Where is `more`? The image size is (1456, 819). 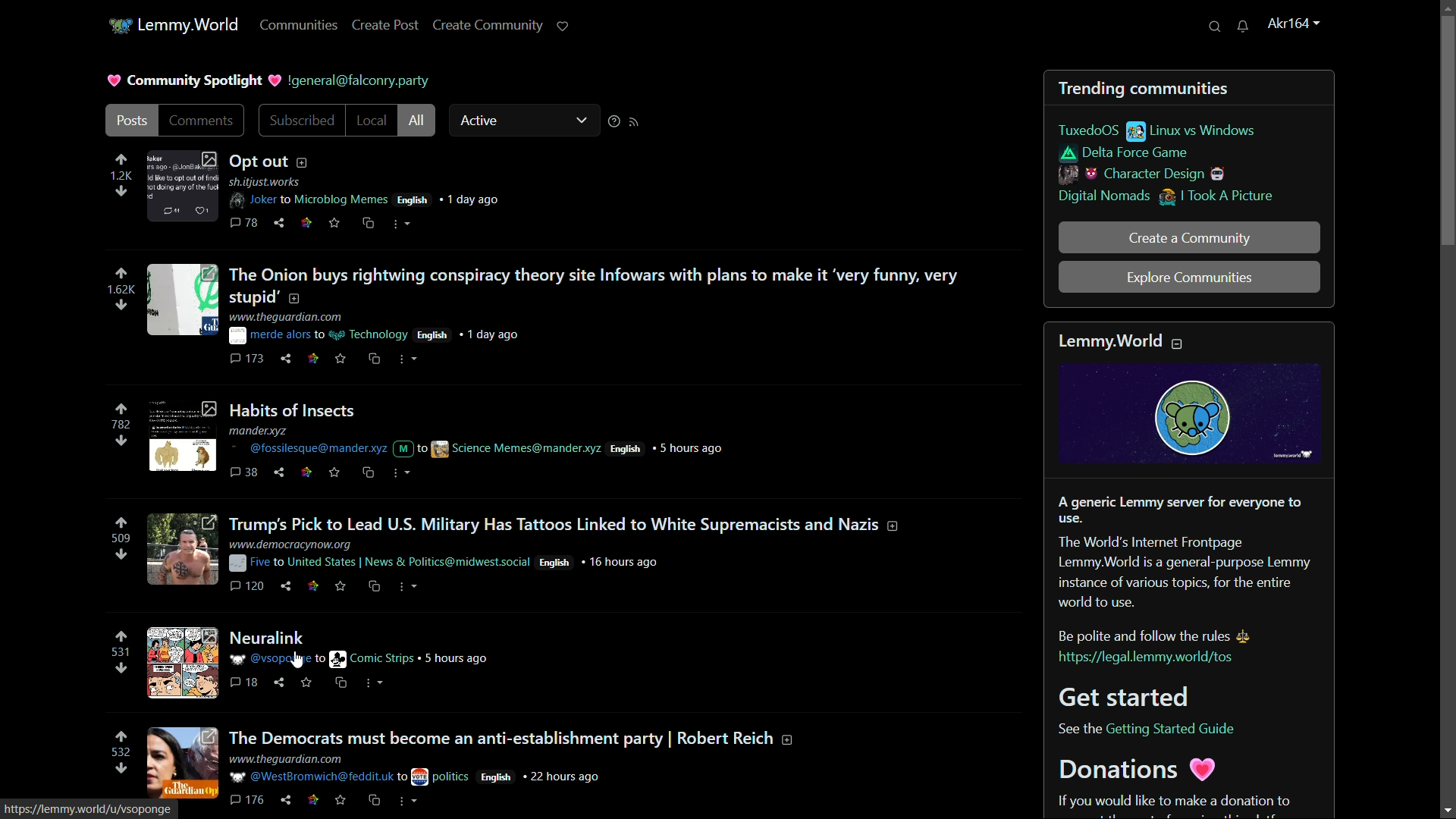 more is located at coordinates (403, 224).